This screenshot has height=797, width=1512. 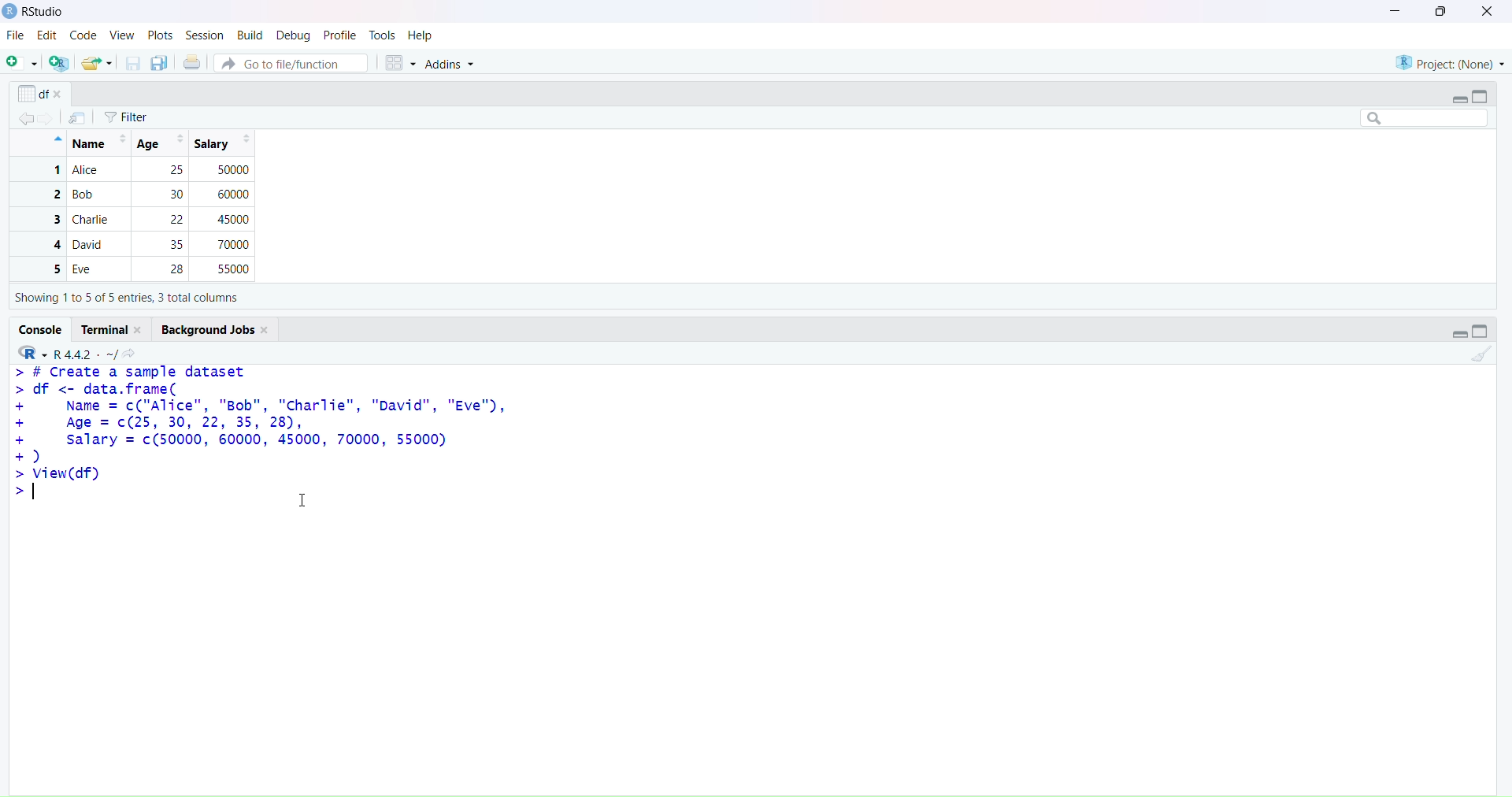 I want to click on options of x, so click(x=44, y=95).